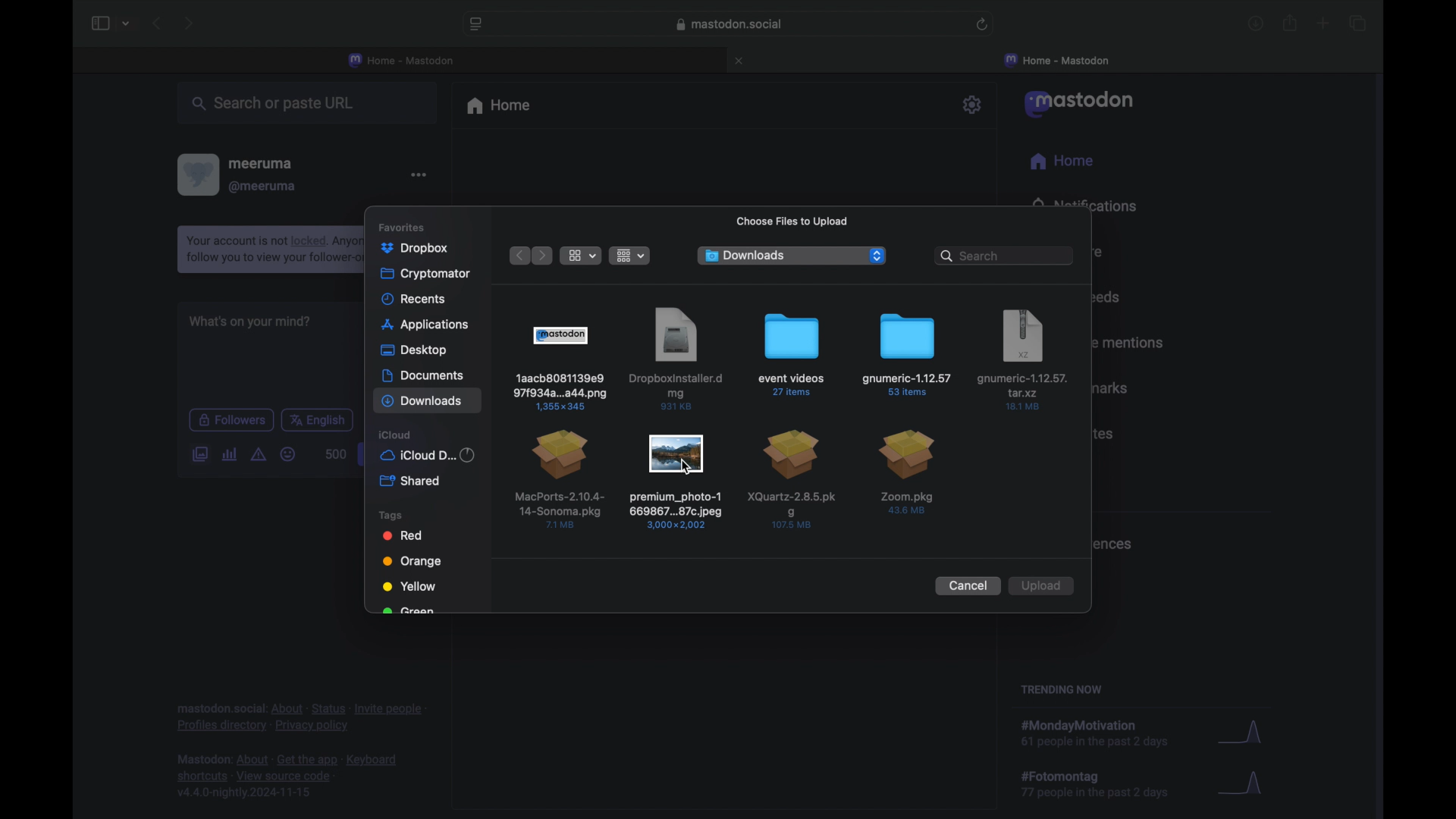 This screenshot has width=1456, height=819. I want to click on red, so click(401, 536).